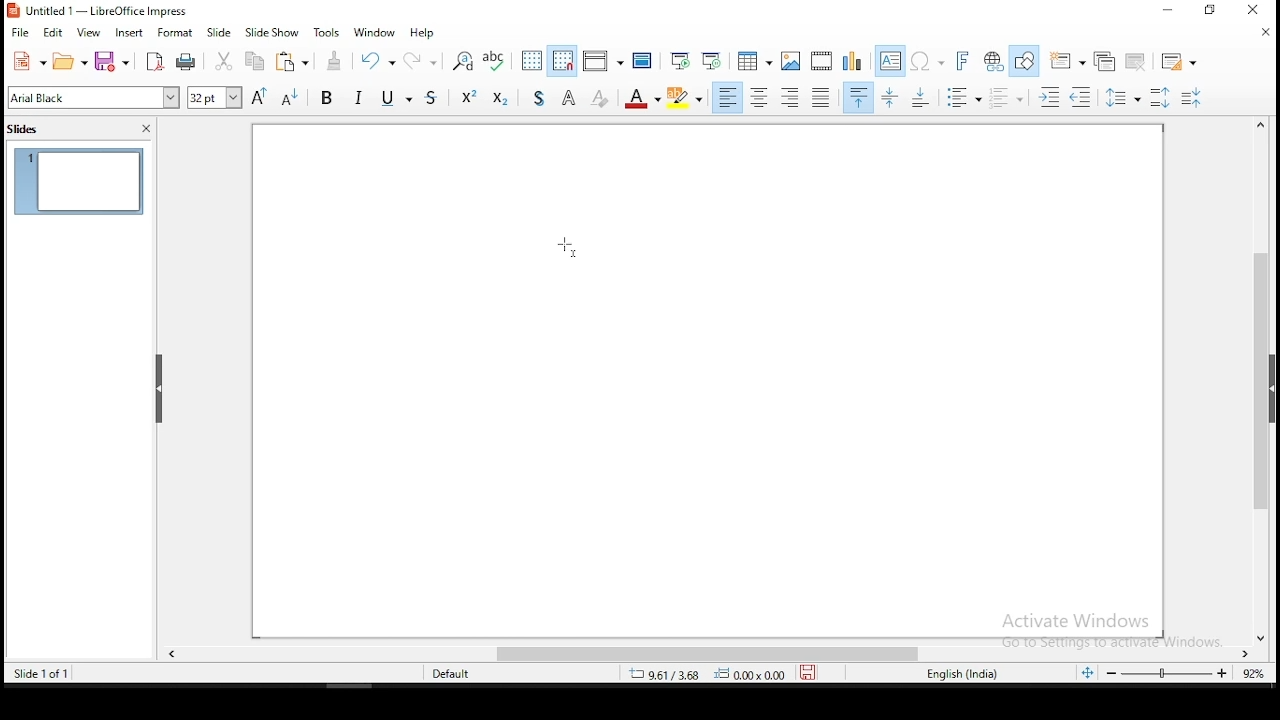 This screenshot has height=720, width=1280. What do you see at coordinates (1108, 60) in the screenshot?
I see `duplicate slide` at bounding box center [1108, 60].